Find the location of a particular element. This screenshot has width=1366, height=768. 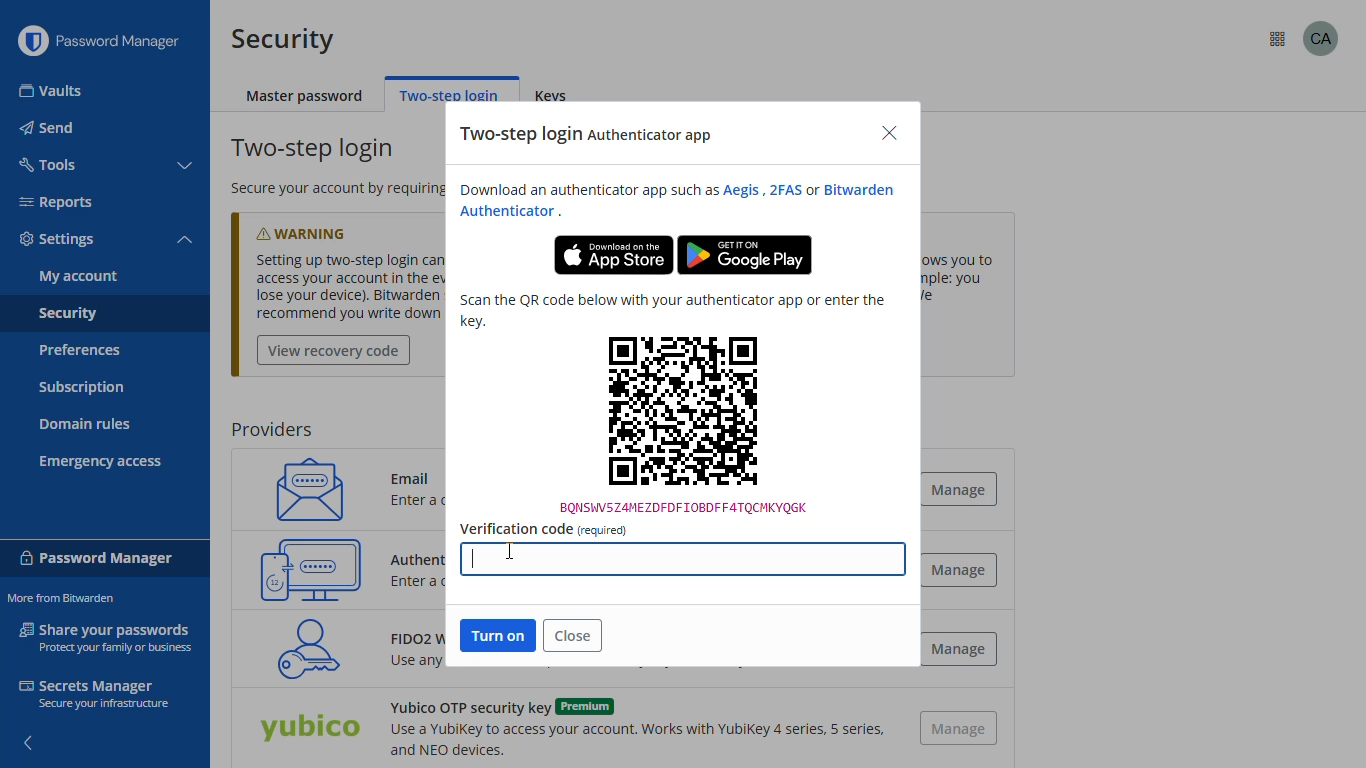

Authenticator app is located at coordinates (422, 557).